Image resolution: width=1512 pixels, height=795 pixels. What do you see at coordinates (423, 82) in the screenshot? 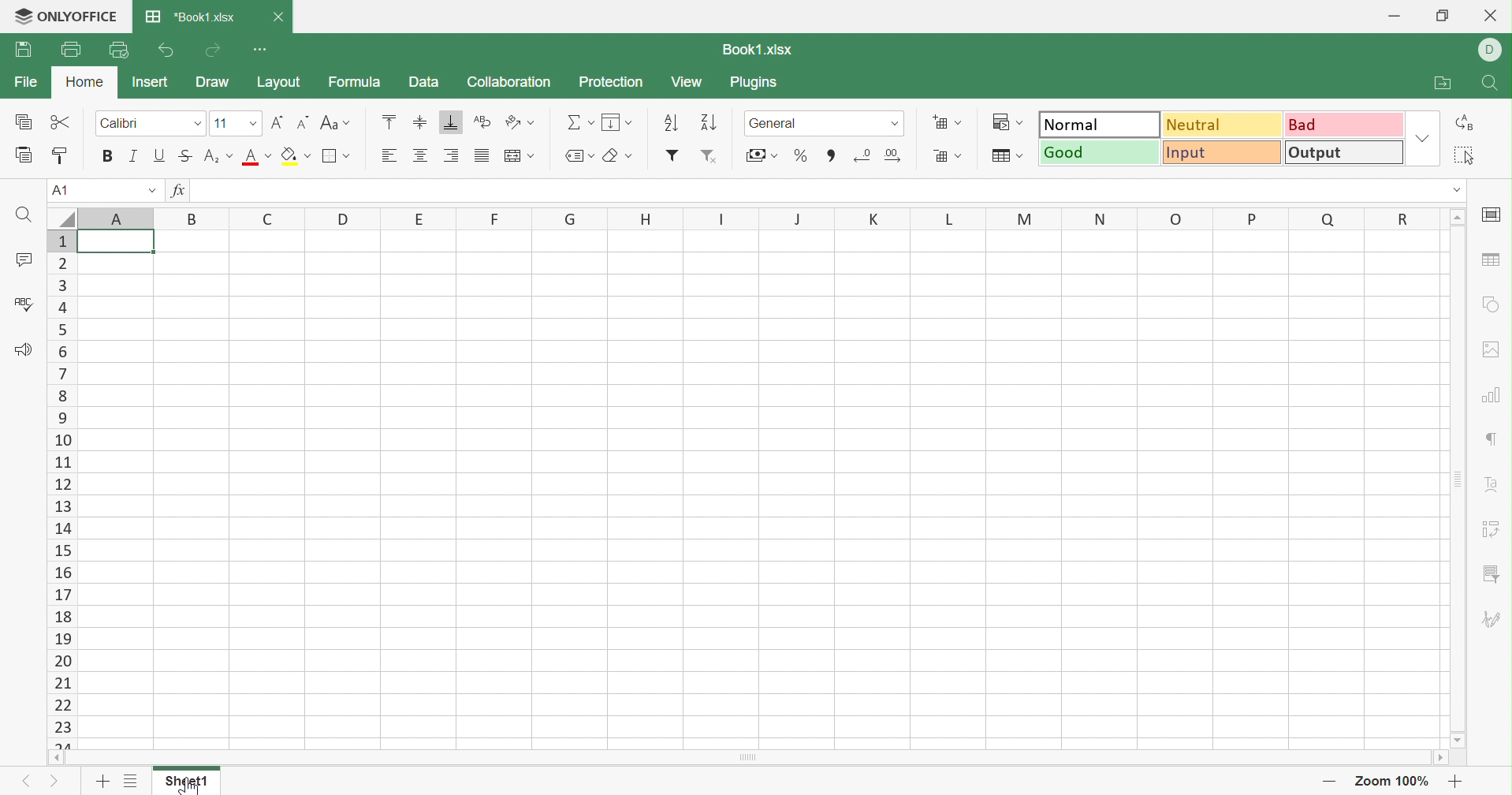
I see `Data` at bounding box center [423, 82].